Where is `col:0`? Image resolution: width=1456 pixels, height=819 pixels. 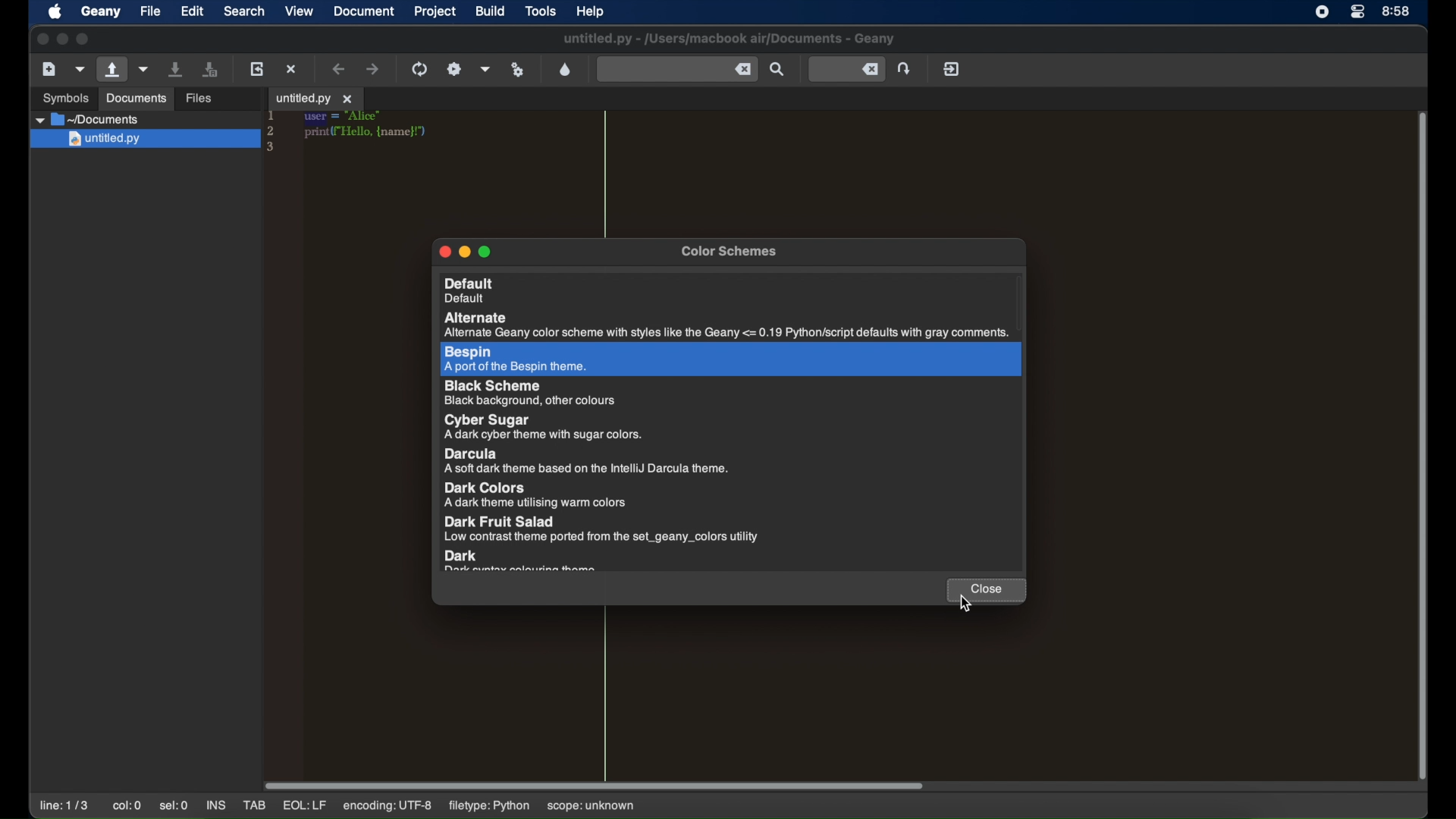
col:0 is located at coordinates (127, 806).